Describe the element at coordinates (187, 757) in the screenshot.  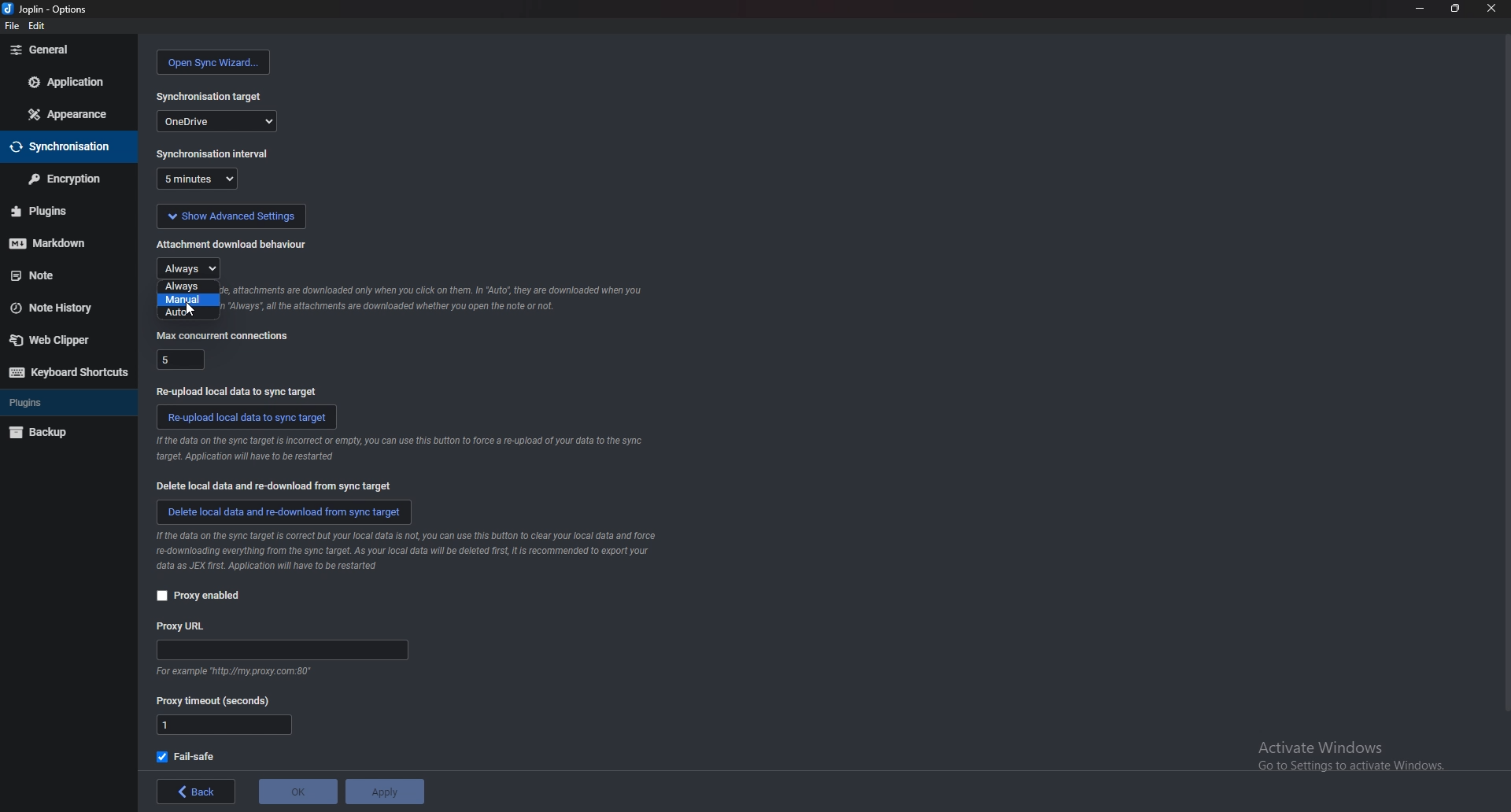
I see `fail safe` at that location.